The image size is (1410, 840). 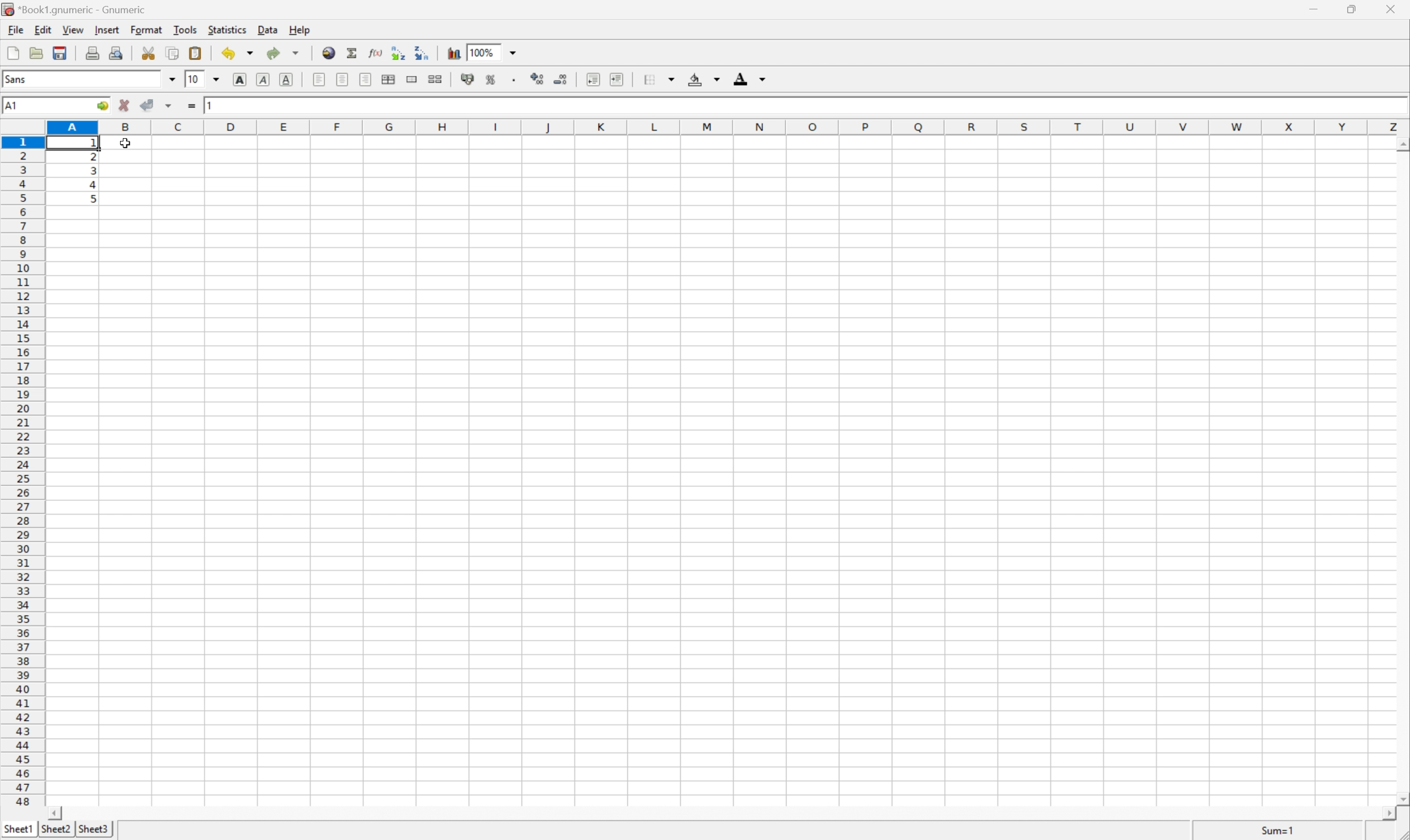 I want to click on 2, so click(x=93, y=155).